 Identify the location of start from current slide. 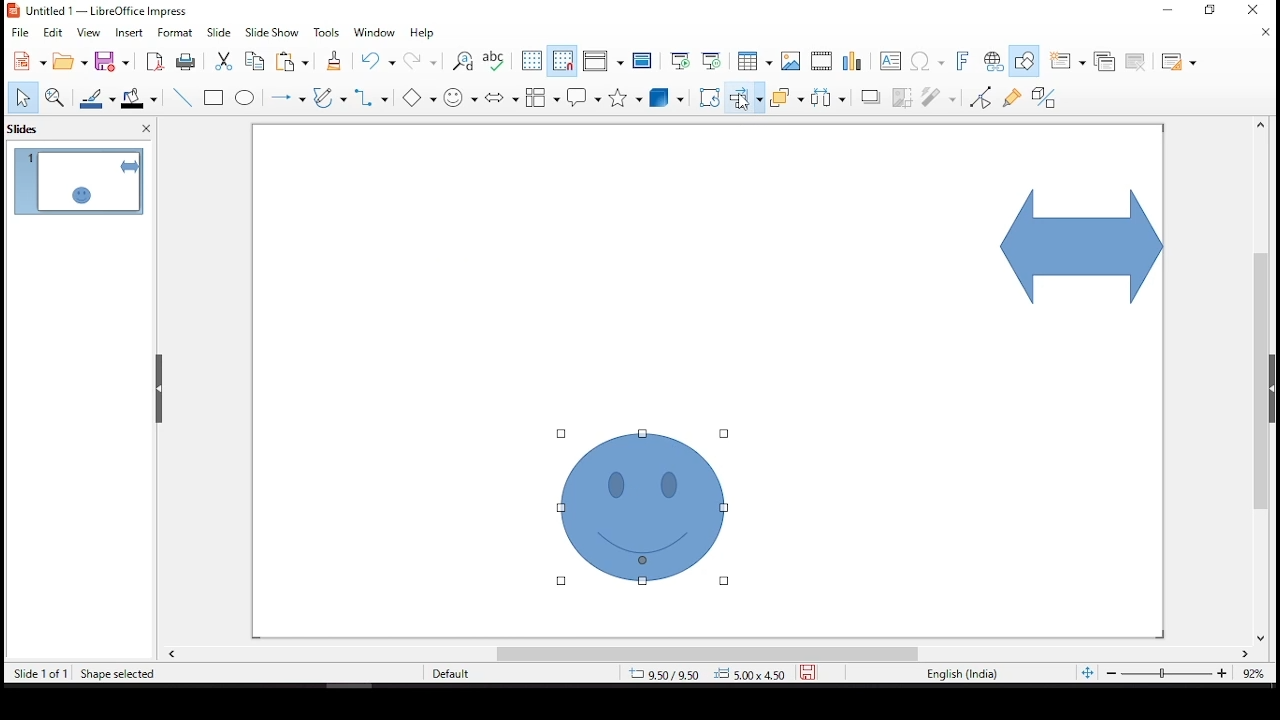
(708, 62).